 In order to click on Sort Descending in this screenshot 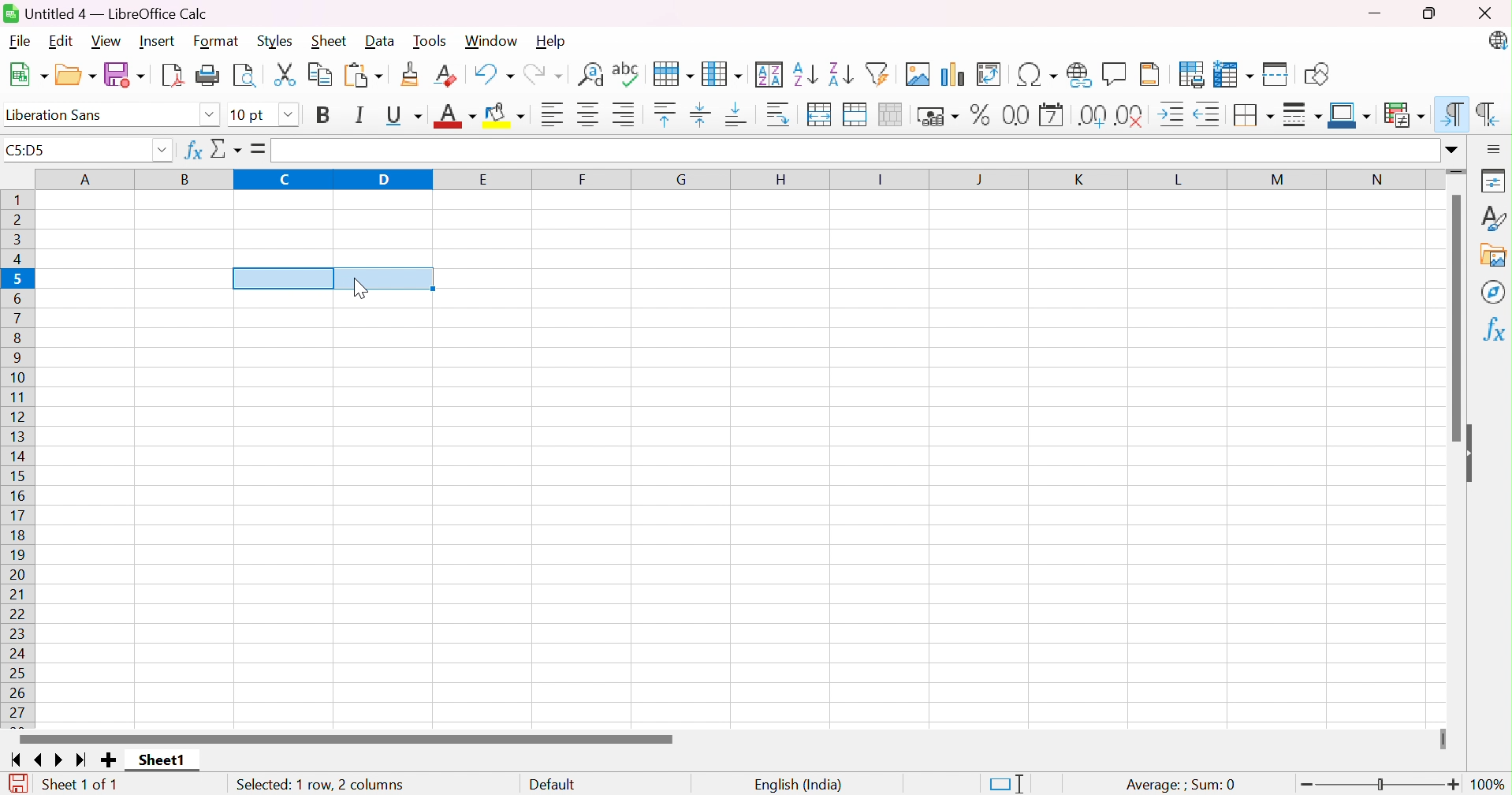, I will do `click(840, 71)`.